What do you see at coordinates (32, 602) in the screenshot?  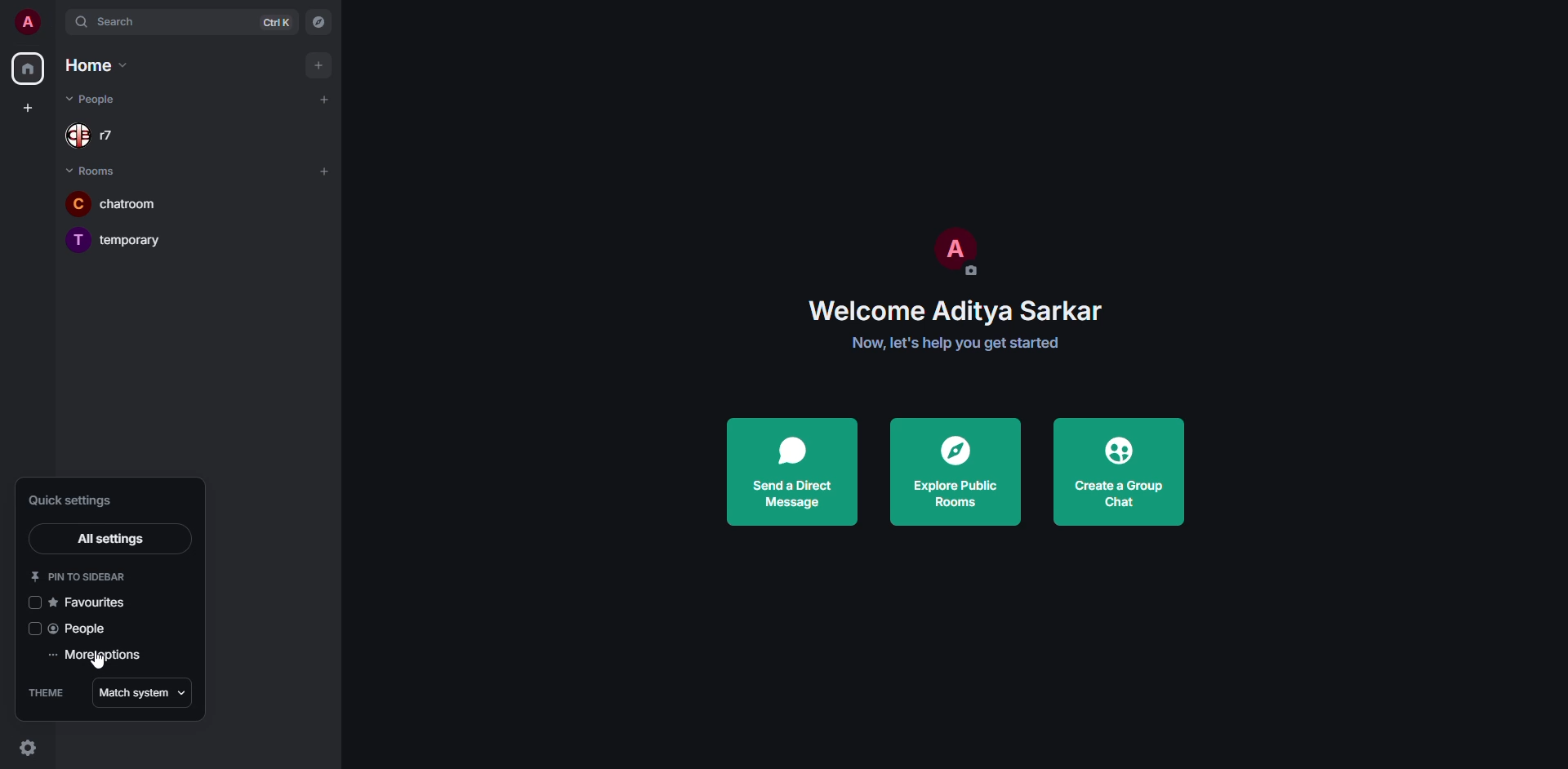 I see `click to enable` at bounding box center [32, 602].